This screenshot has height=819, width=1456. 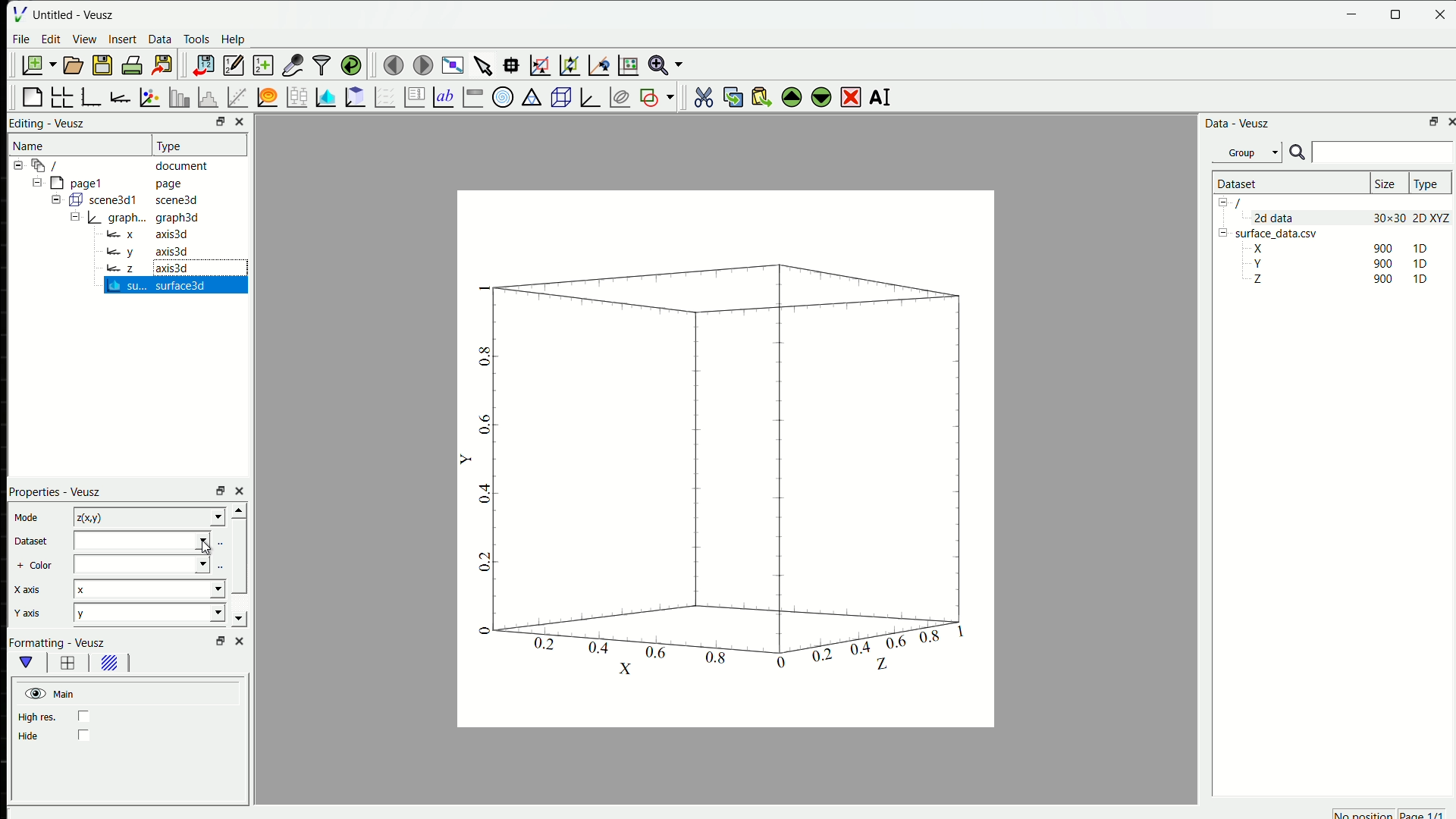 What do you see at coordinates (221, 490) in the screenshot?
I see `open in separate window` at bounding box center [221, 490].